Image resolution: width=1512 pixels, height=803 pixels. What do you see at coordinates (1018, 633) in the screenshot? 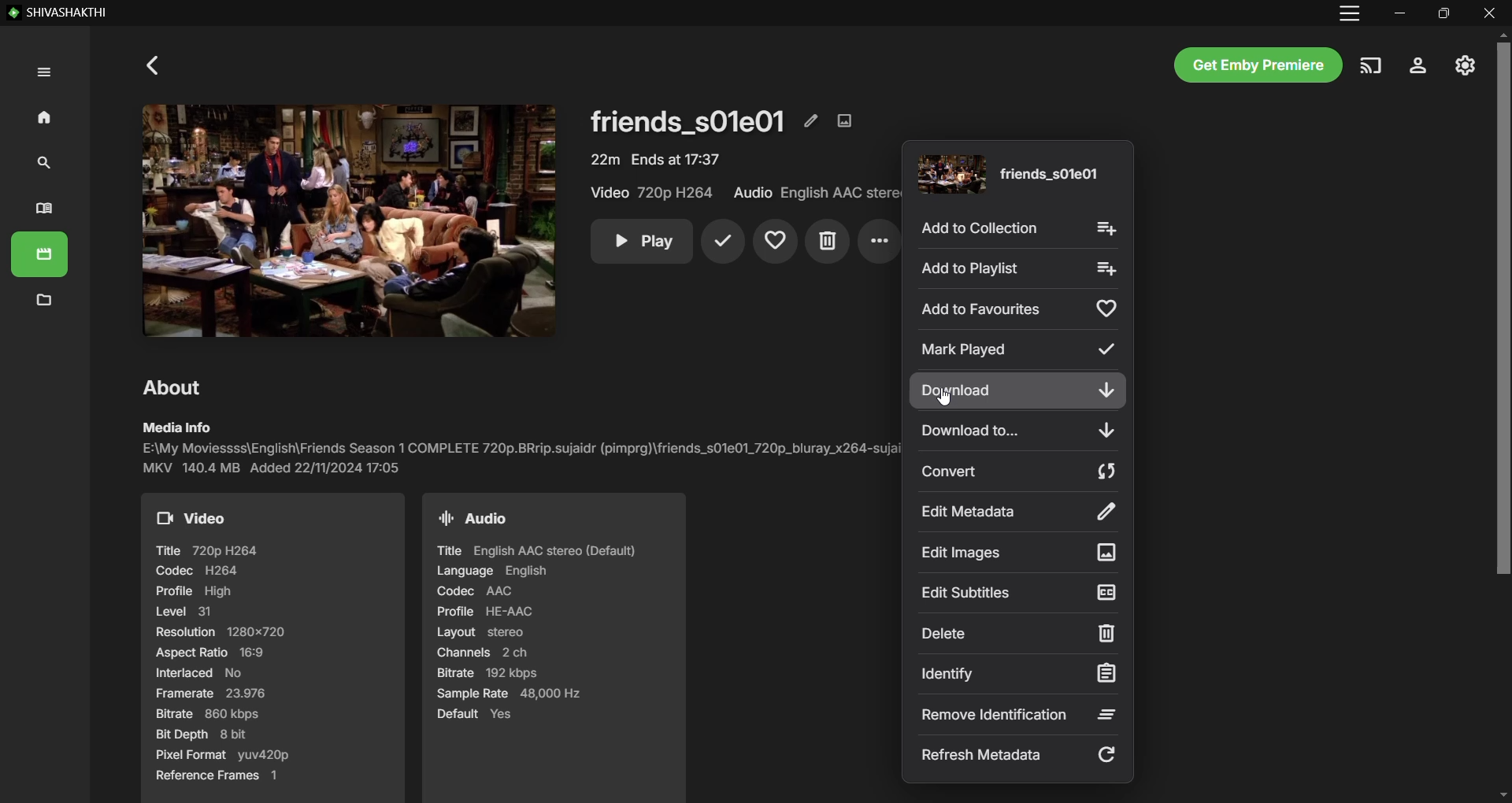
I see `Delete` at bounding box center [1018, 633].